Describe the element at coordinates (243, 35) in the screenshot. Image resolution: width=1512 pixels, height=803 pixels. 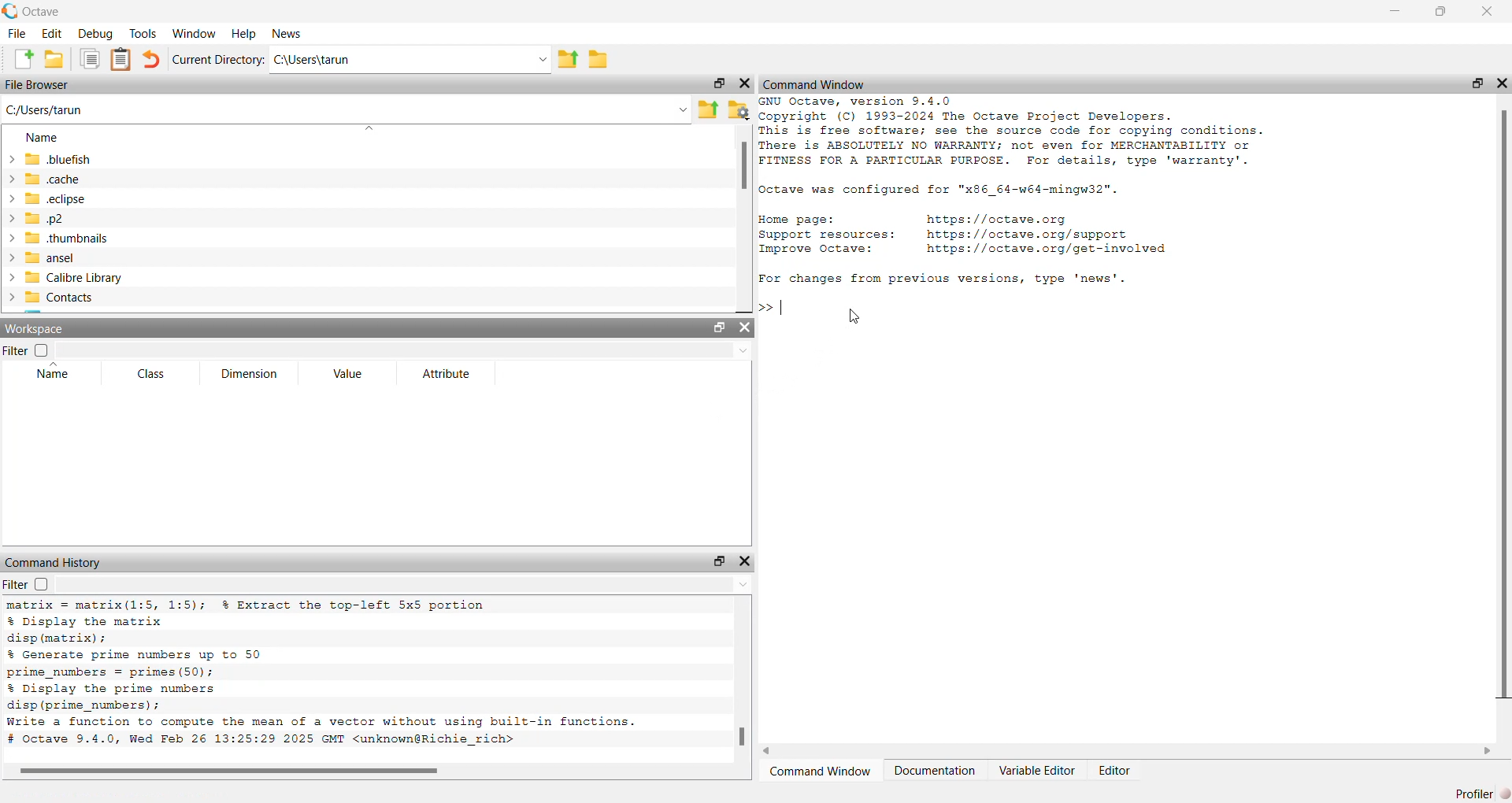
I see `help` at that location.